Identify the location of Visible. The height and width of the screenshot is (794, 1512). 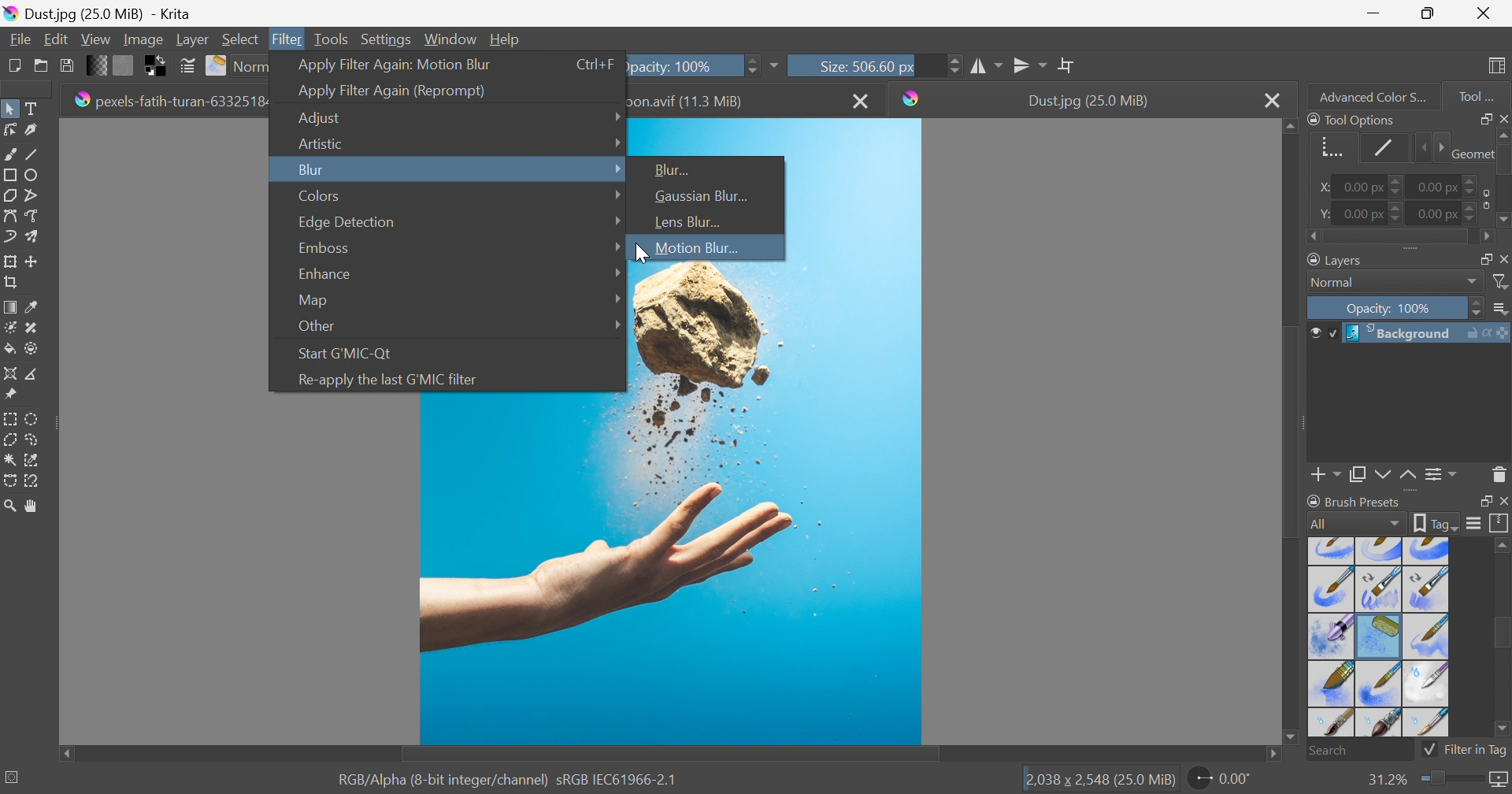
(1321, 333).